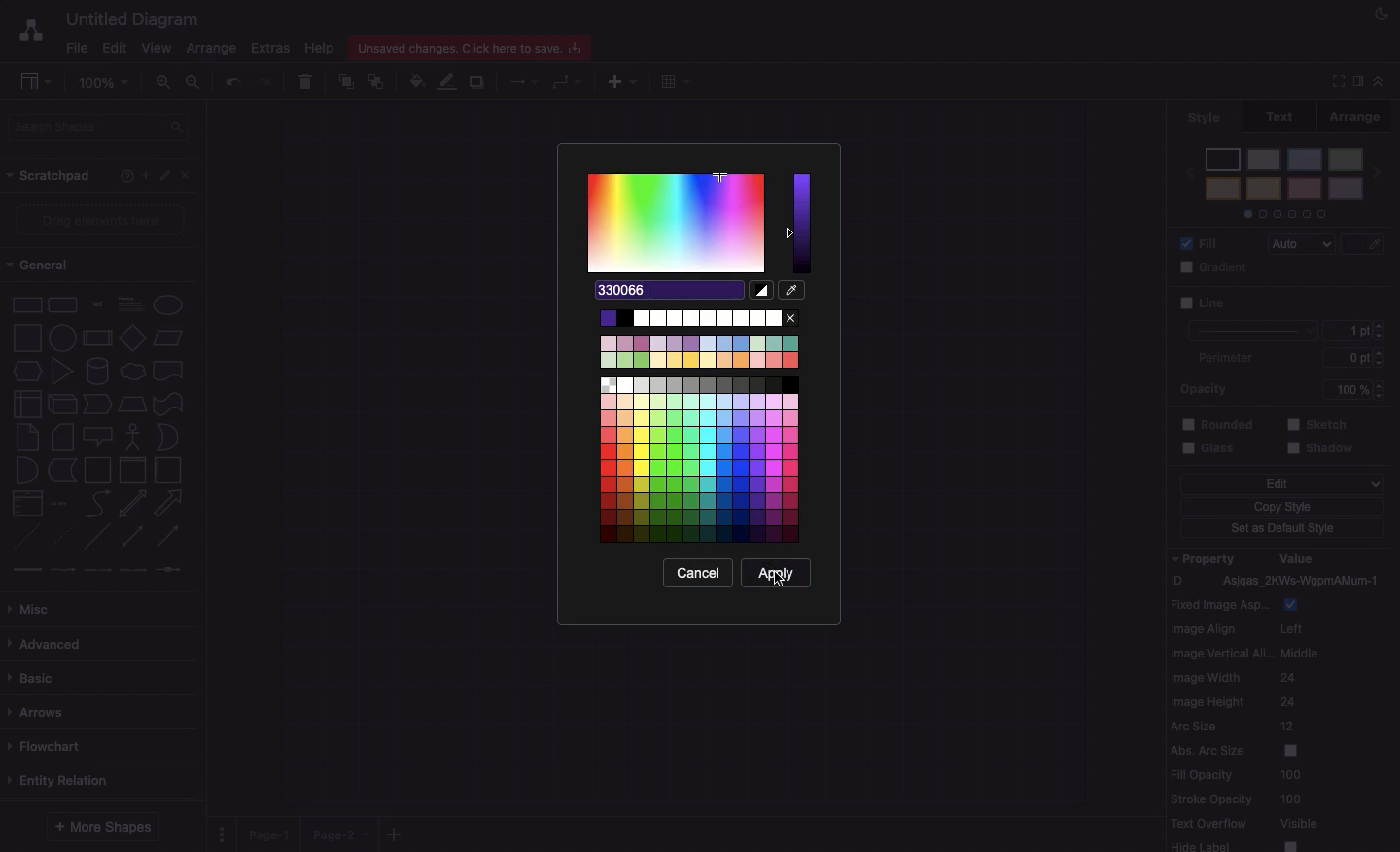 The height and width of the screenshot is (852, 1400). I want to click on Styles, so click(1284, 181).